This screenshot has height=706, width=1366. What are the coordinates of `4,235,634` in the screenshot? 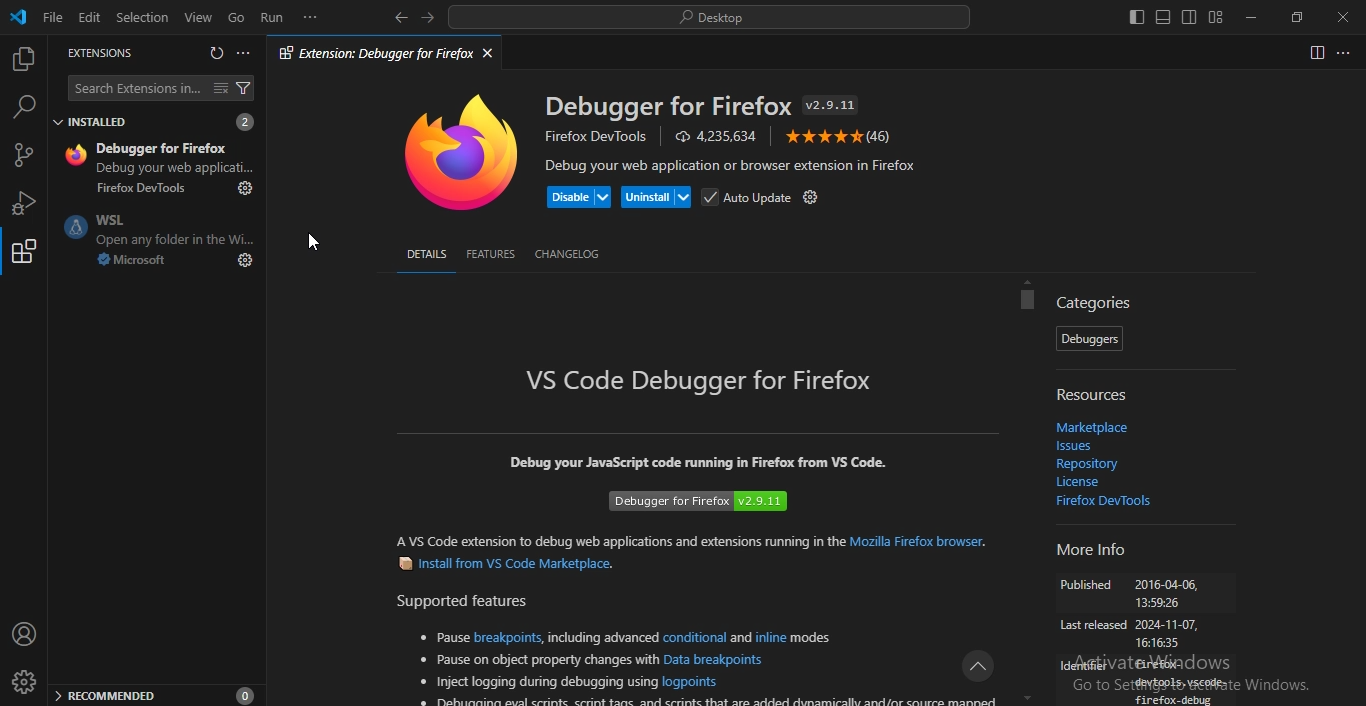 It's located at (717, 135).